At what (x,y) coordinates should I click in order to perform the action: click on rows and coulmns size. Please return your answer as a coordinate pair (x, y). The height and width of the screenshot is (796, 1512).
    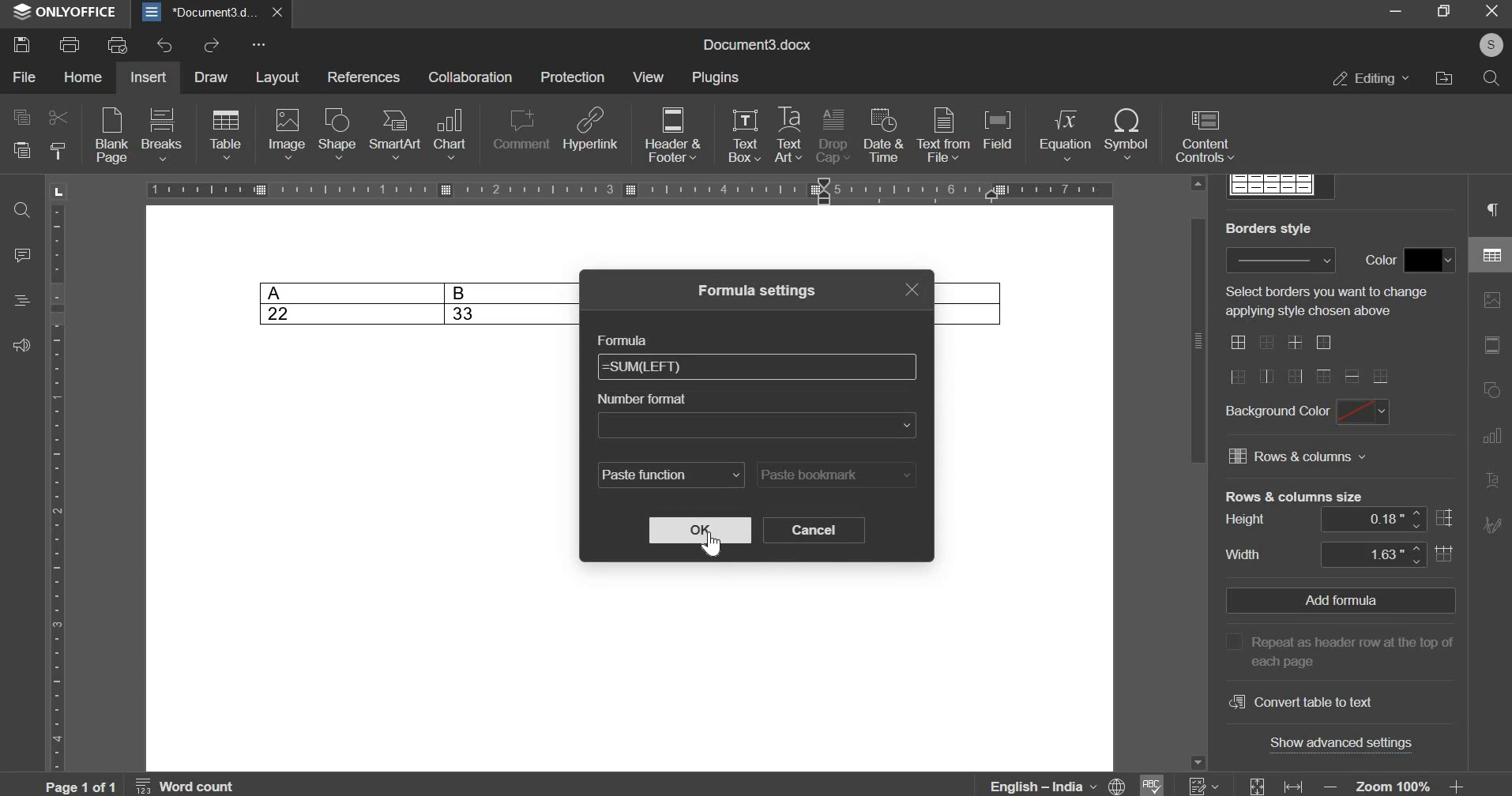
    Looking at the image, I should click on (1293, 495).